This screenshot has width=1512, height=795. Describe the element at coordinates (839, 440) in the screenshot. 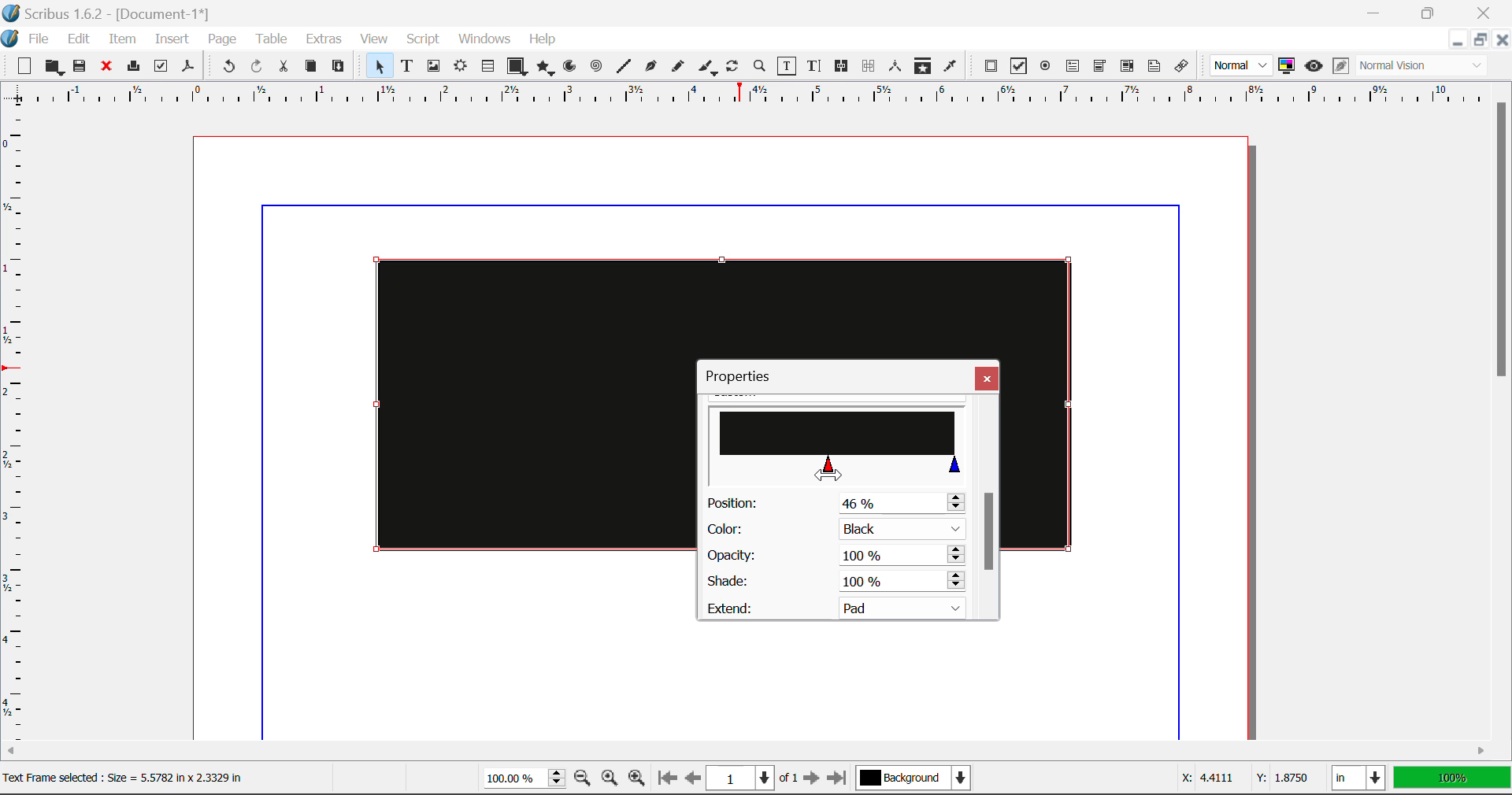

I see `Gradient Slider` at that location.